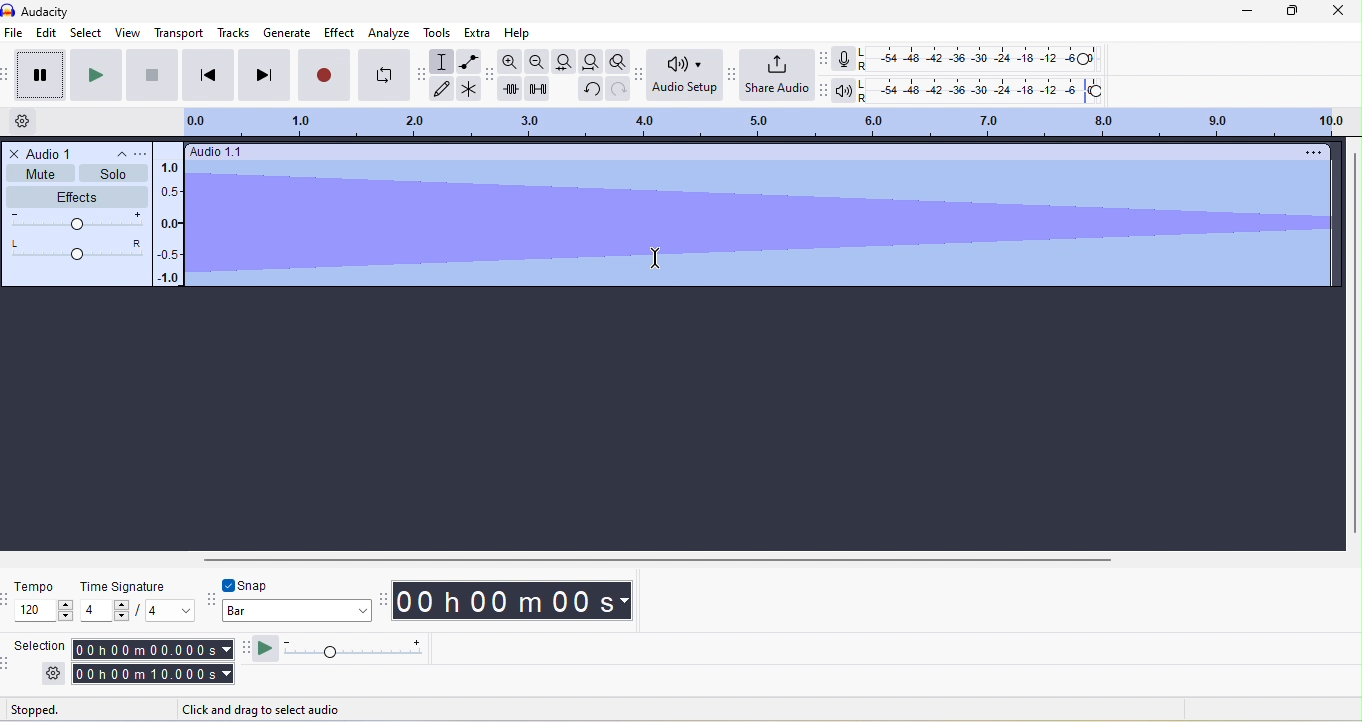  I want to click on recording level, so click(978, 57).